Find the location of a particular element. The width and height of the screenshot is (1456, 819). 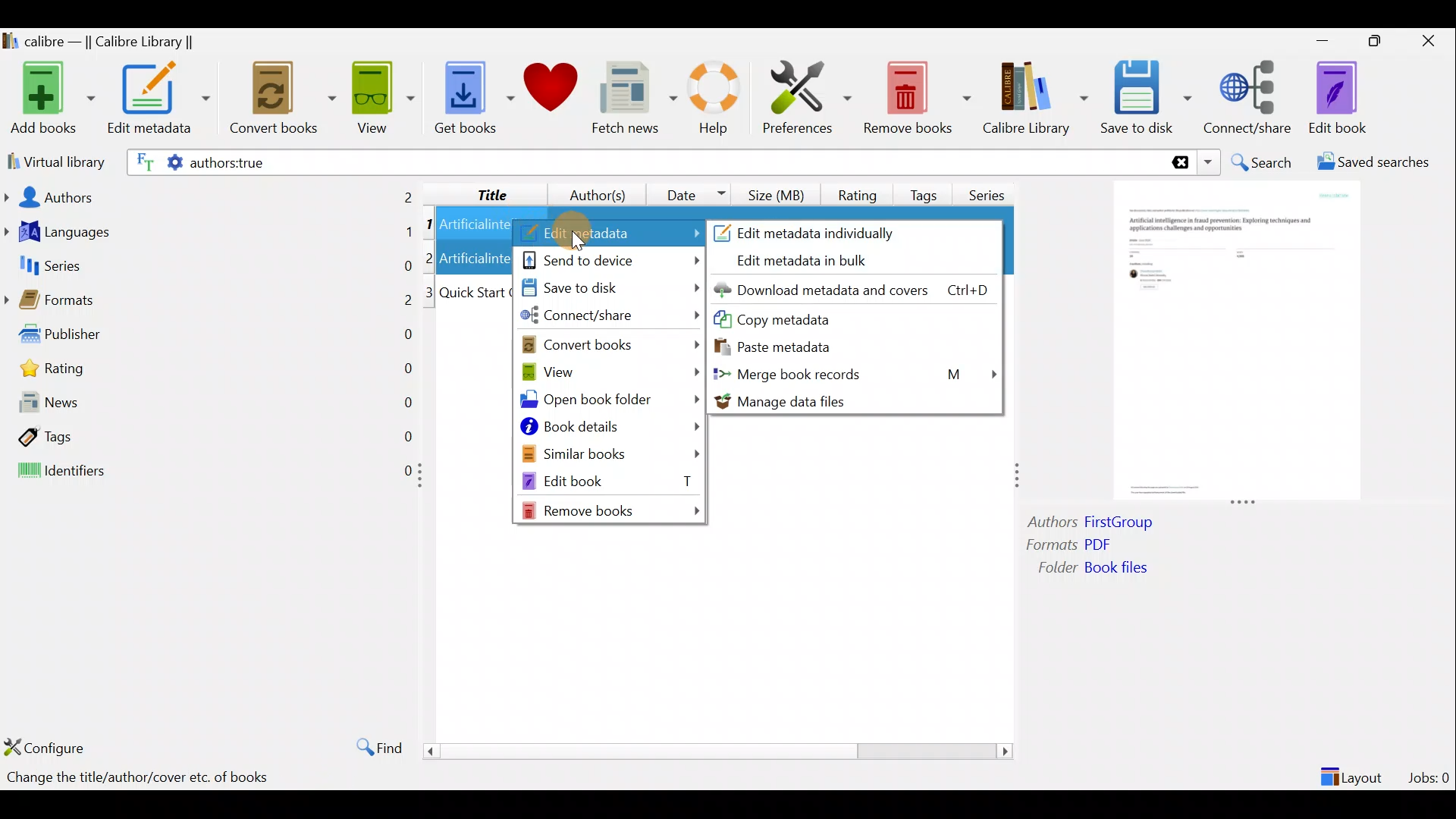

Rating is located at coordinates (858, 193).